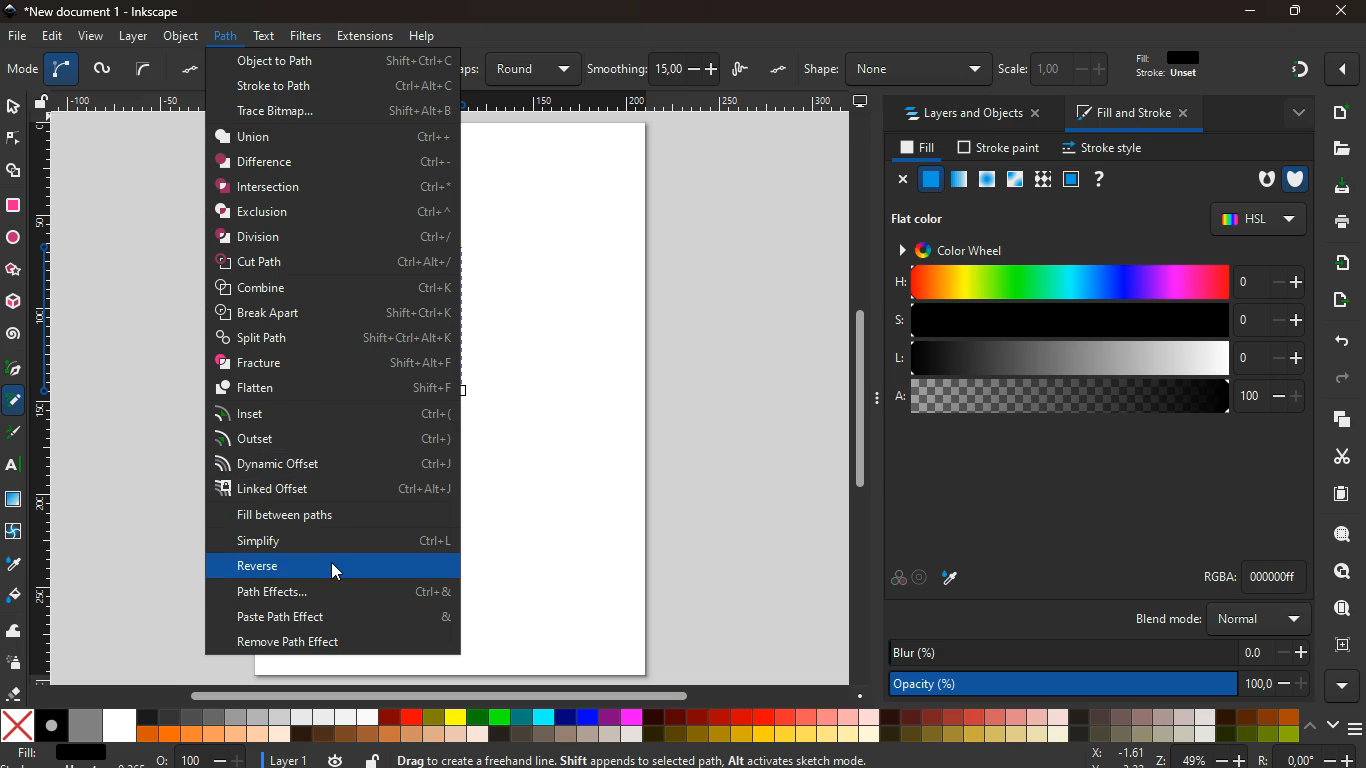 The width and height of the screenshot is (1366, 768). What do you see at coordinates (1258, 219) in the screenshot?
I see `hsl` at bounding box center [1258, 219].